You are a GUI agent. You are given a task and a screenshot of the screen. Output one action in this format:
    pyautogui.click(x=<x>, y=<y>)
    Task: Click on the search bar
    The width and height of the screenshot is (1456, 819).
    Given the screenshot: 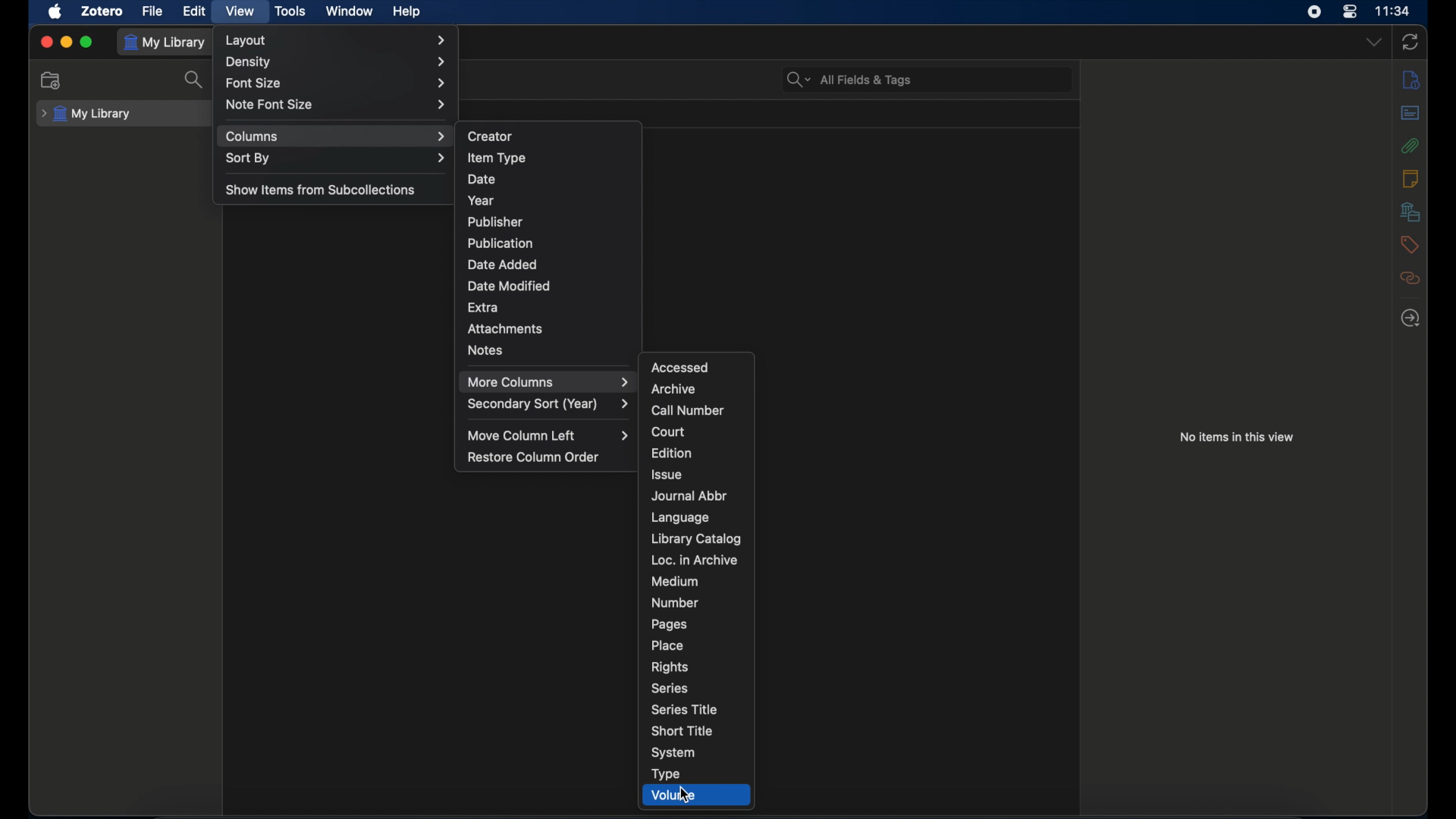 What is the action you would take?
    pyautogui.click(x=849, y=79)
    